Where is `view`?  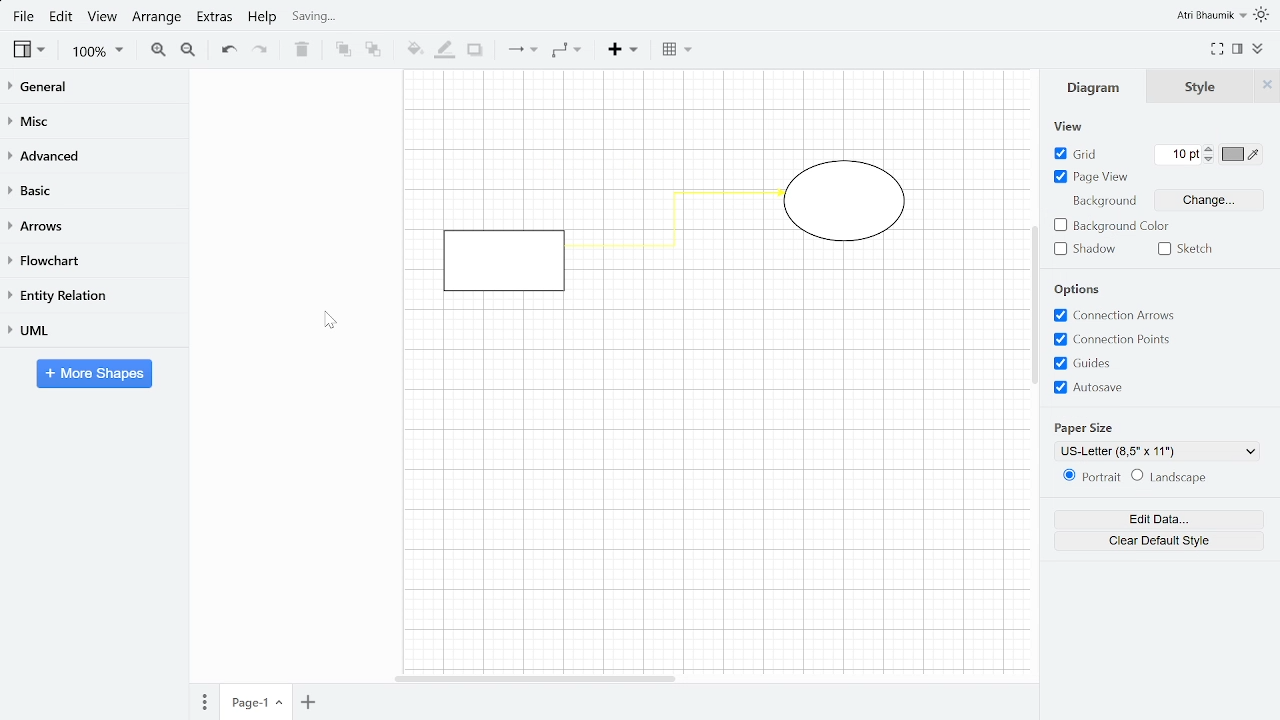 view is located at coordinates (1065, 125).